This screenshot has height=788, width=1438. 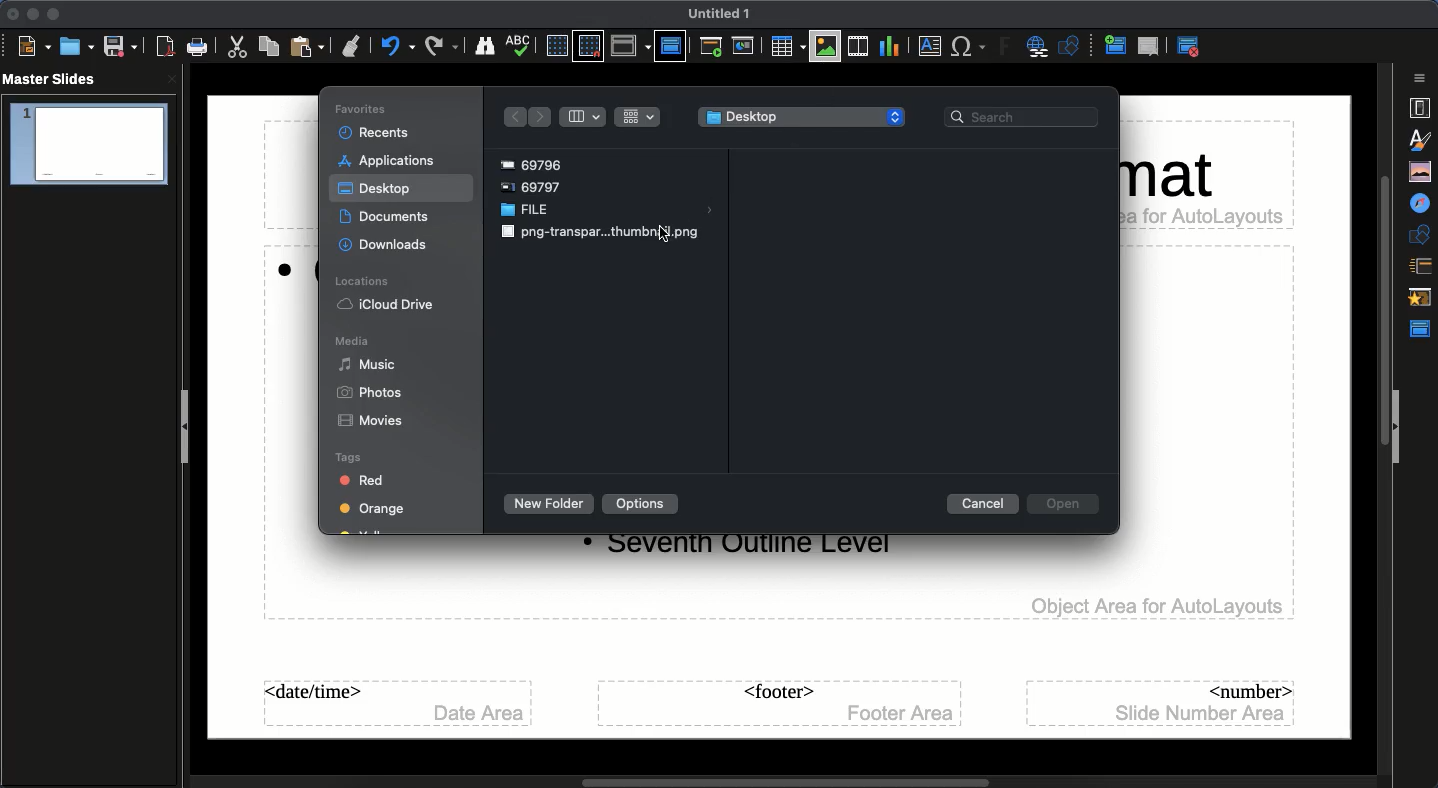 What do you see at coordinates (198, 47) in the screenshot?
I see `Print` at bounding box center [198, 47].